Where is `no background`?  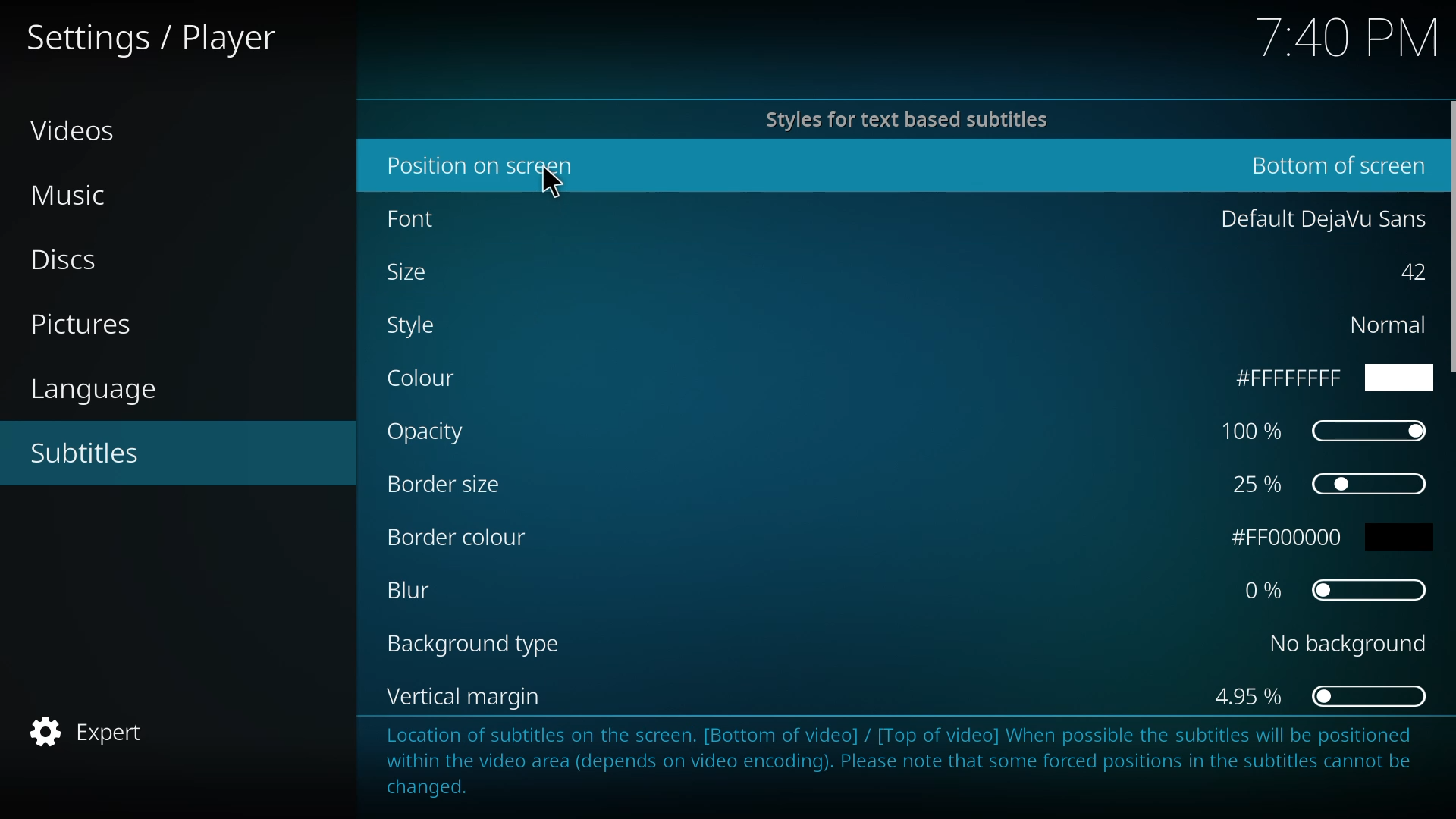
no background is located at coordinates (1344, 641).